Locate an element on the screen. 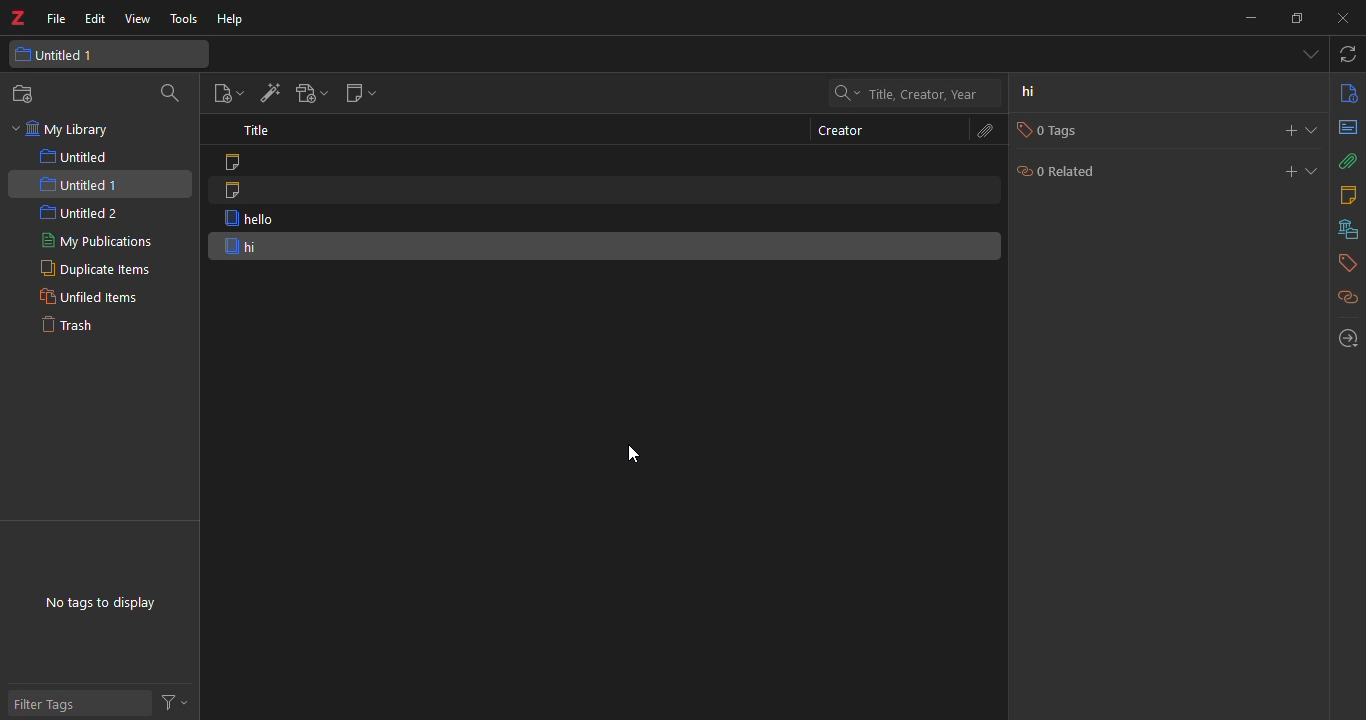 This screenshot has height=720, width=1366. file is located at coordinates (55, 21).